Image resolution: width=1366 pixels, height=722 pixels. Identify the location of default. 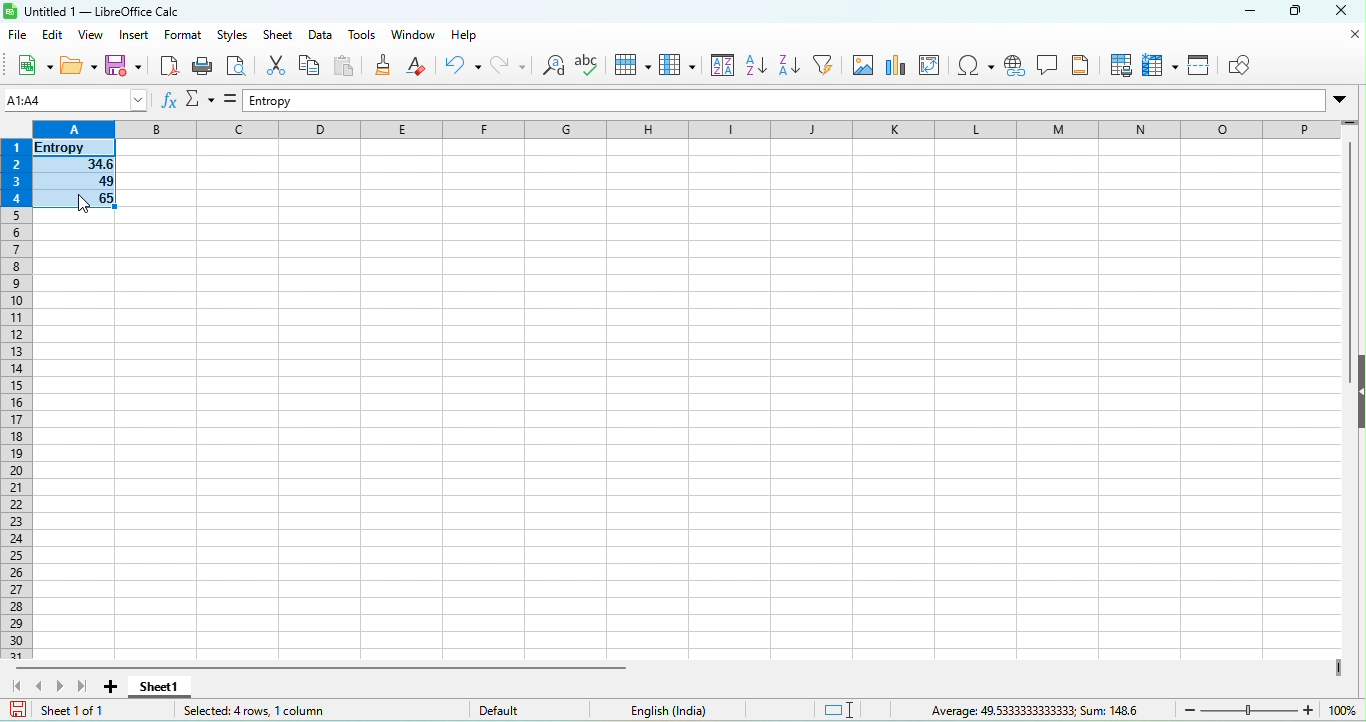
(534, 710).